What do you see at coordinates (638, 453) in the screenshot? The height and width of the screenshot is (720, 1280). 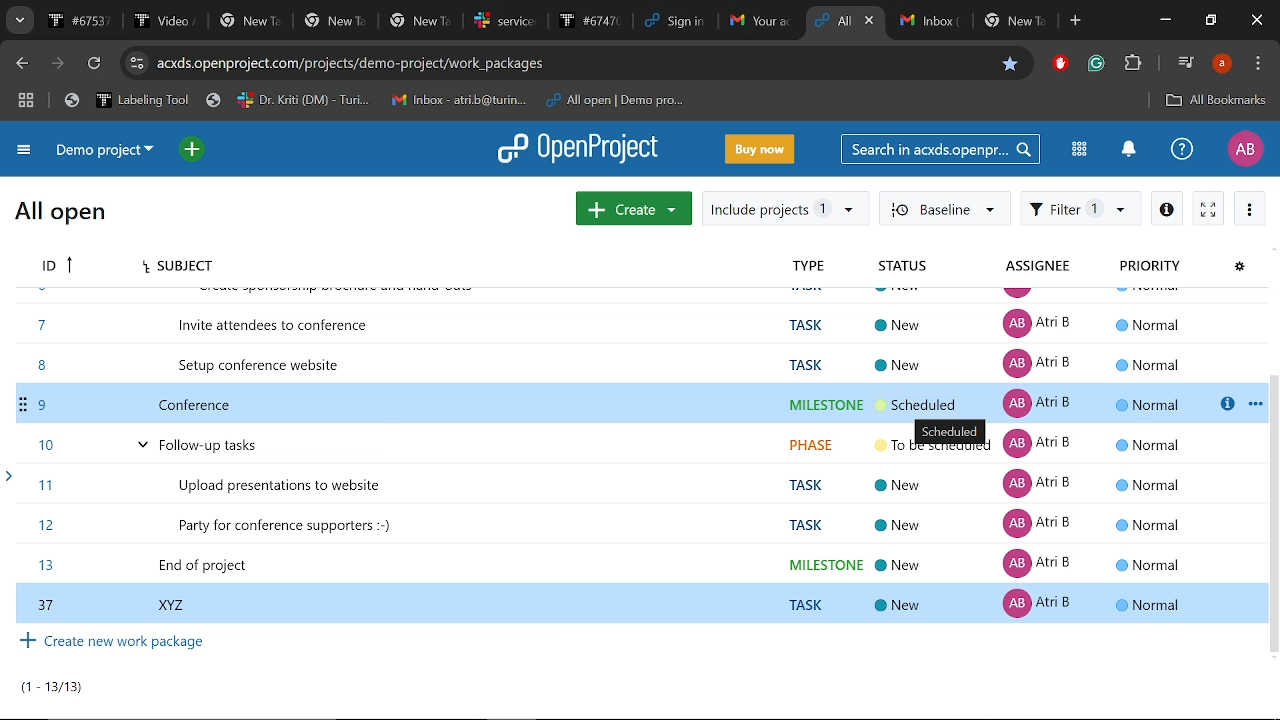 I see `Tasks` at bounding box center [638, 453].